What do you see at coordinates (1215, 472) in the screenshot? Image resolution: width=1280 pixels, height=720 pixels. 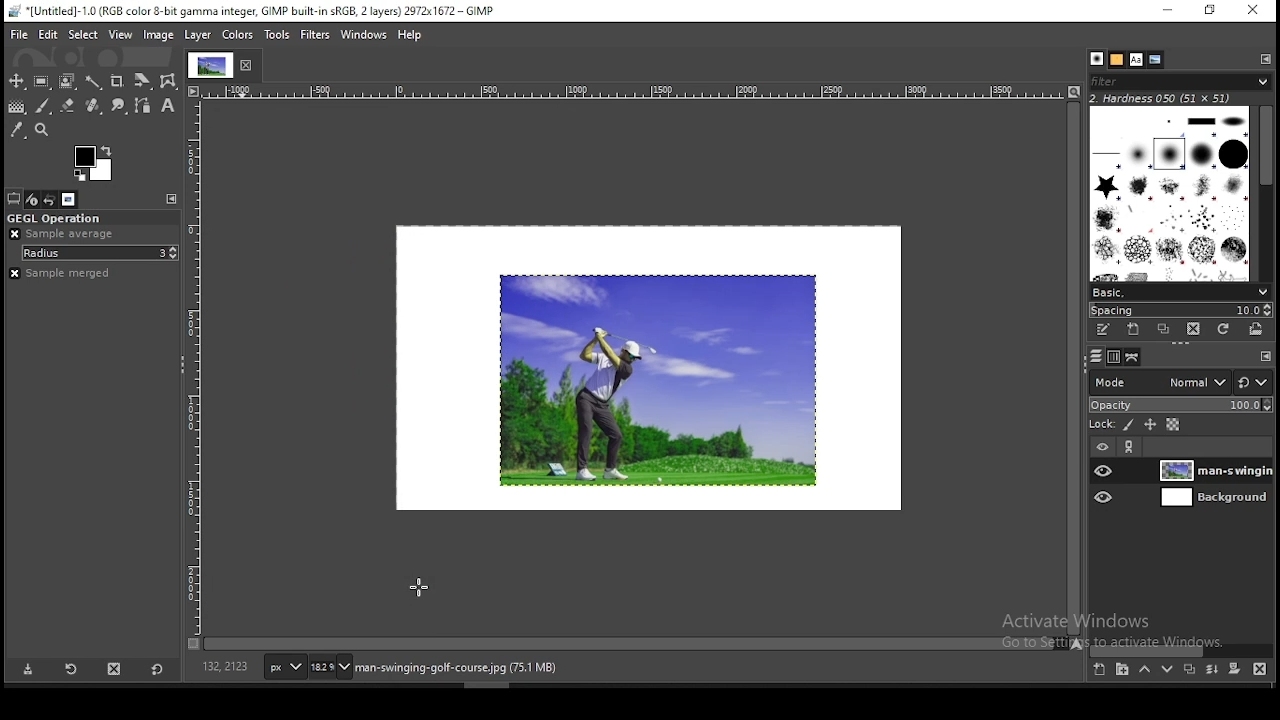 I see `layer ` at bounding box center [1215, 472].